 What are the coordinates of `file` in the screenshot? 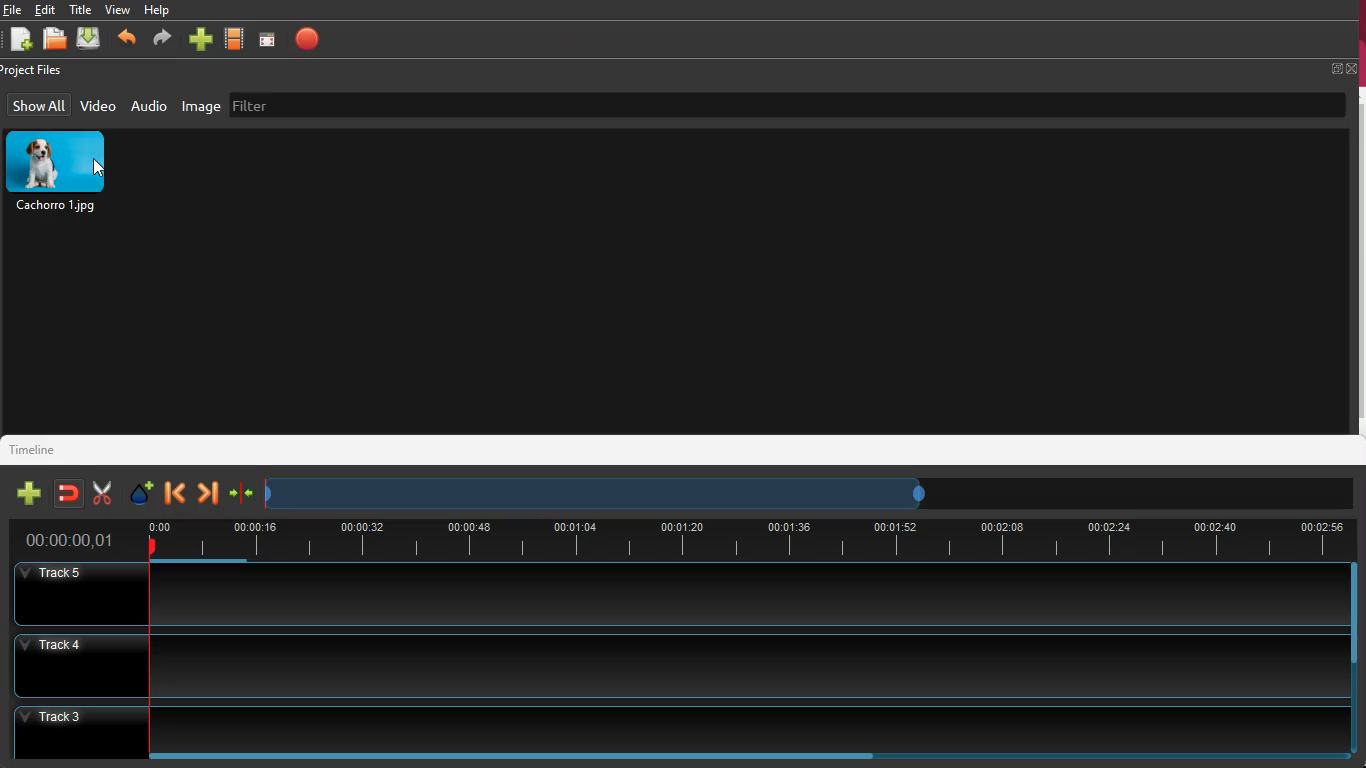 It's located at (12, 9).